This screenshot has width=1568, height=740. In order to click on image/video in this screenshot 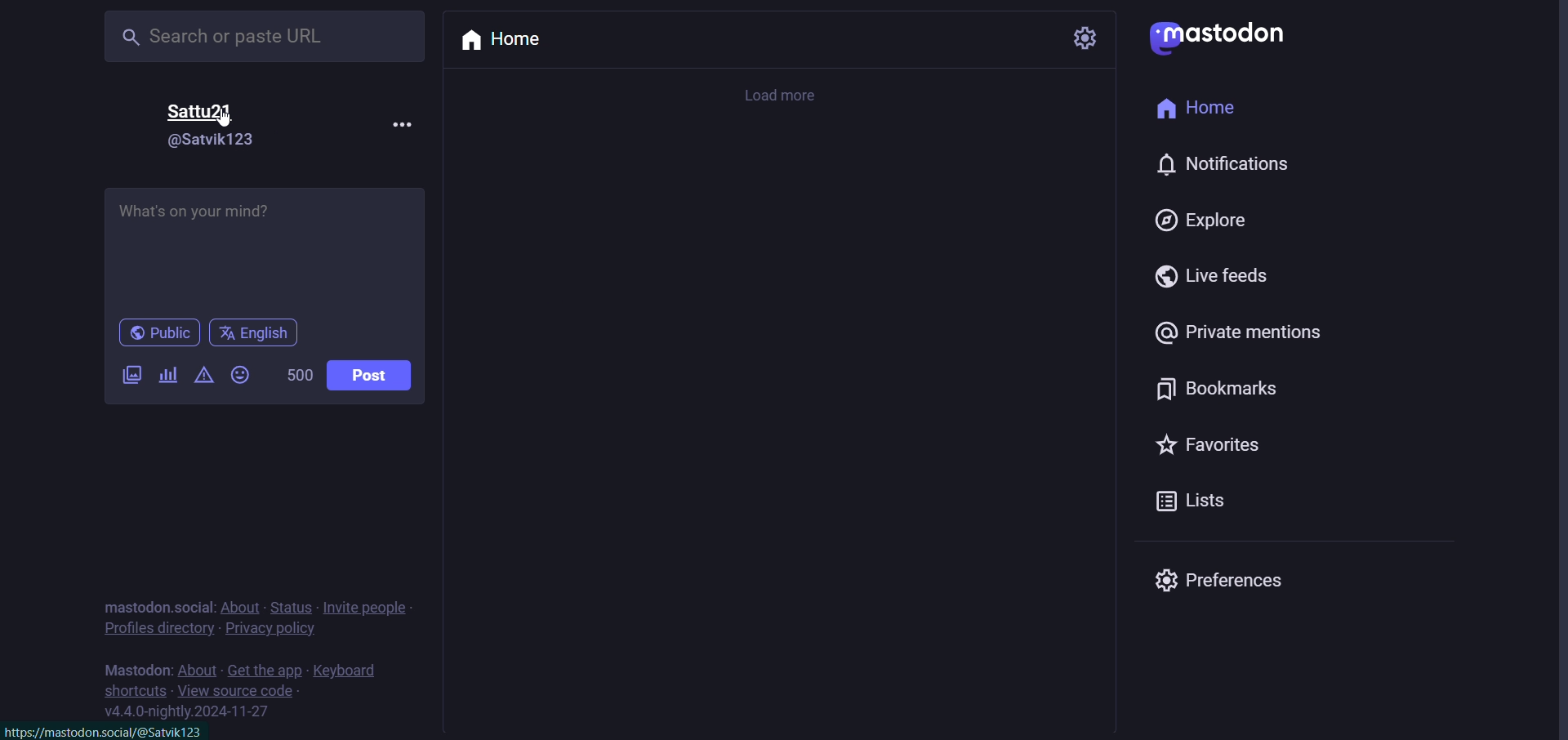, I will do `click(129, 375)`.